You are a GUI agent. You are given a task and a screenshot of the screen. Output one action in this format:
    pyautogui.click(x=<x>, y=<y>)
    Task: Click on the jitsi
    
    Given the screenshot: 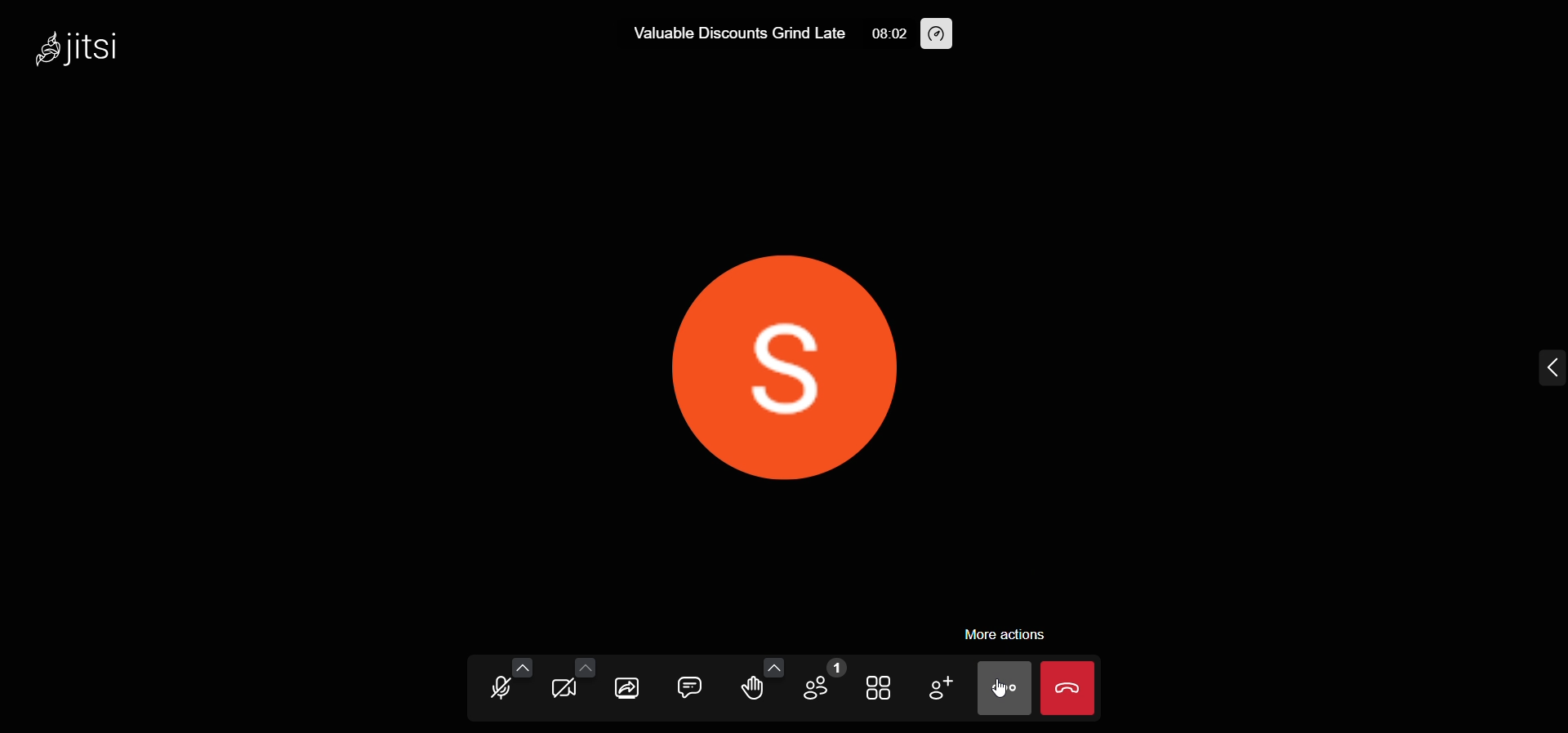 What is the action you would take?
    pyautogui.click(x=80, y=49)
    